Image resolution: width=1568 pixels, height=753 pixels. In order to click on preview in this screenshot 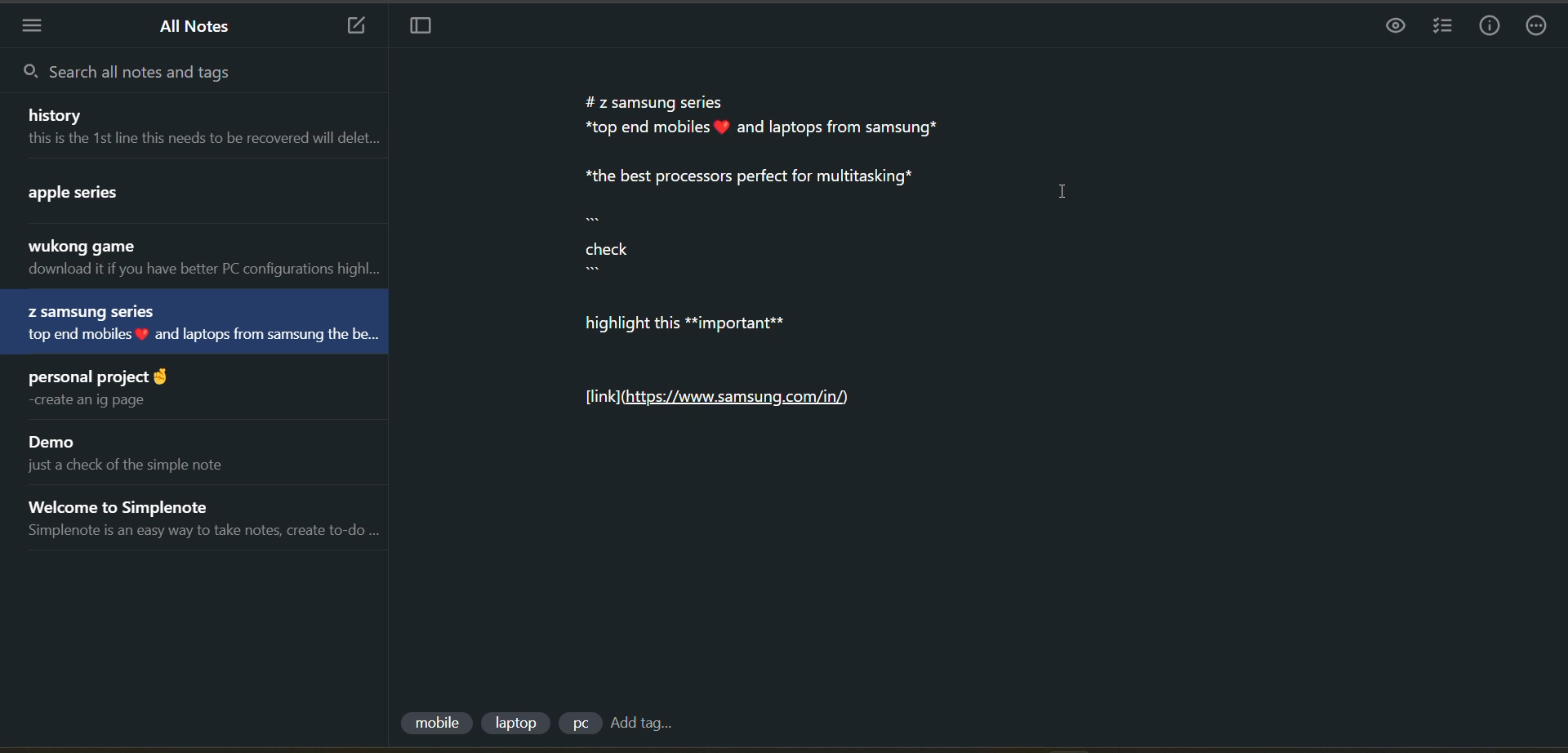, I will do `click(1391, 29)`.